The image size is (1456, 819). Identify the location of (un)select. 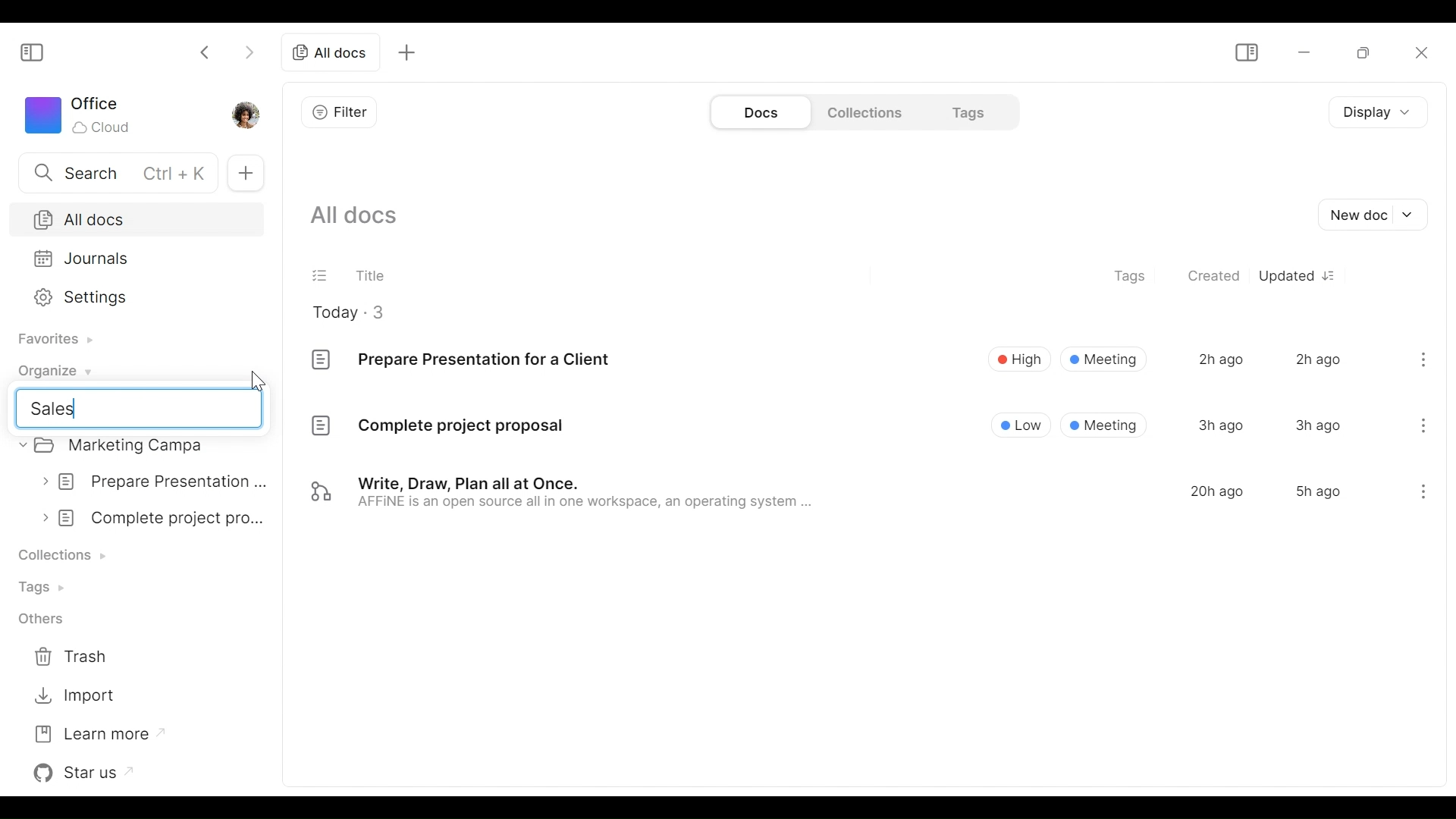
(321, 274).